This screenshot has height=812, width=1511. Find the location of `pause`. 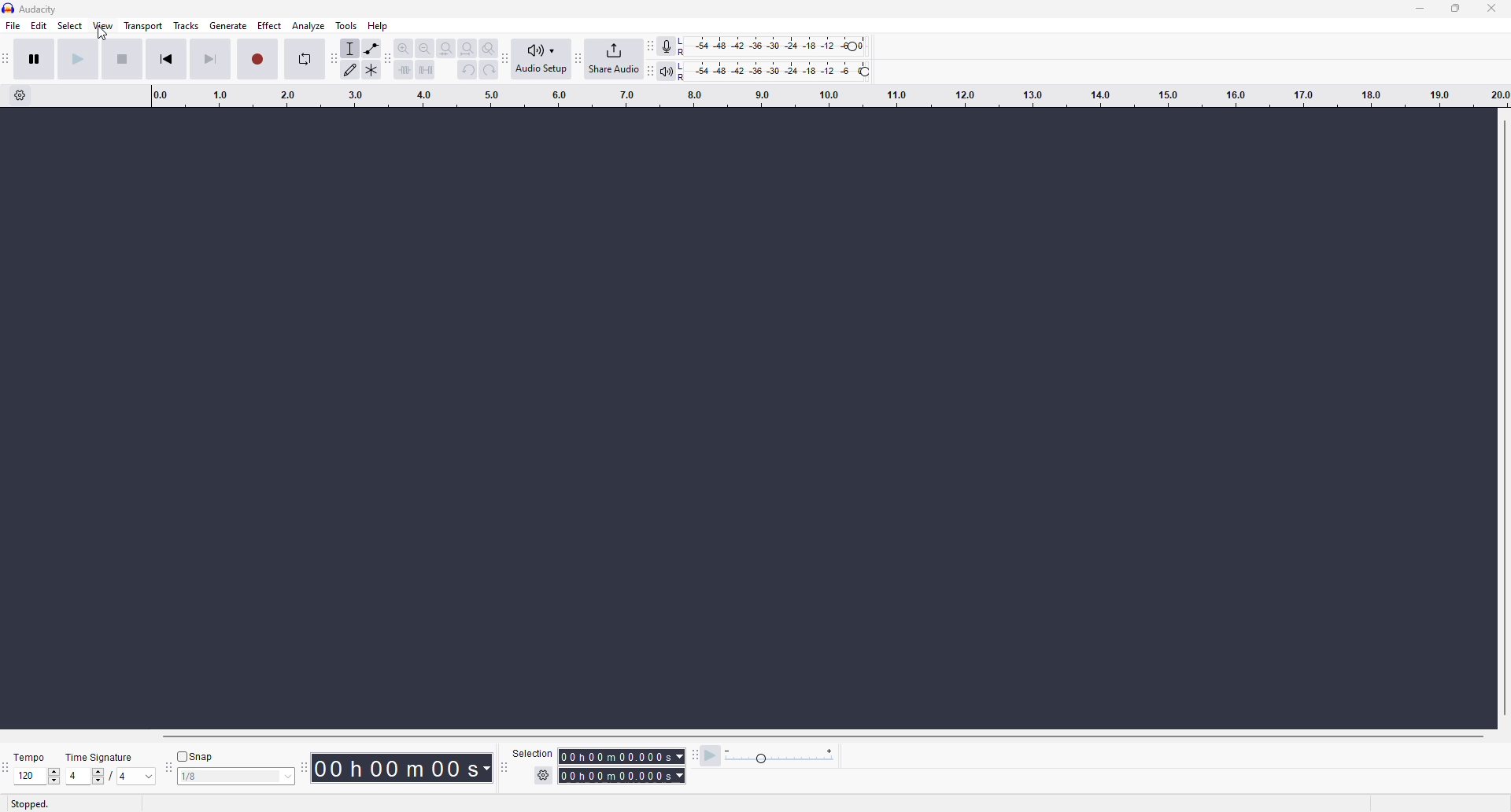

pause is located at coordinates (35, 58).